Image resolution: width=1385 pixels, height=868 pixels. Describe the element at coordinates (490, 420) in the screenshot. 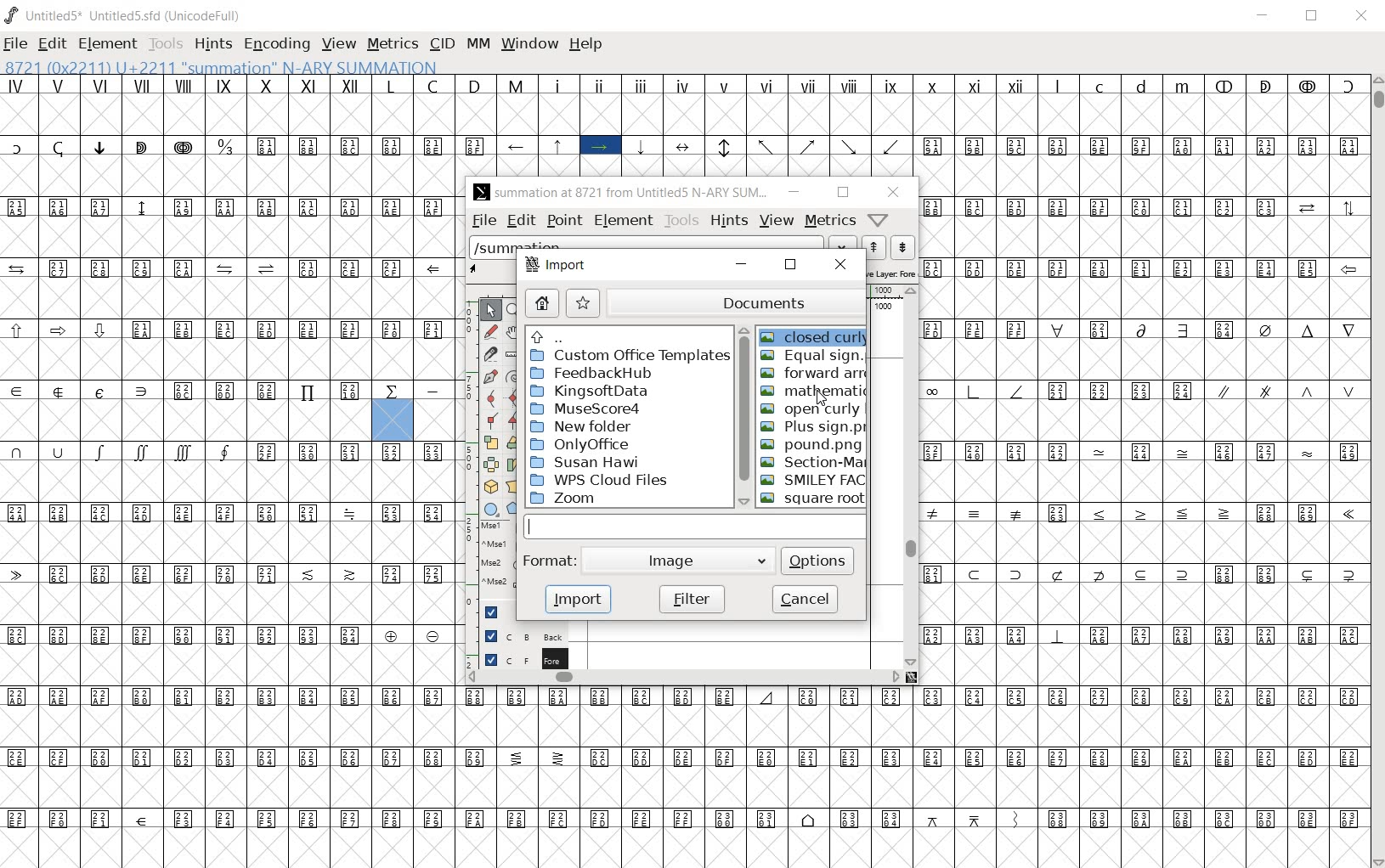

I see `Add a corner point` at that location.